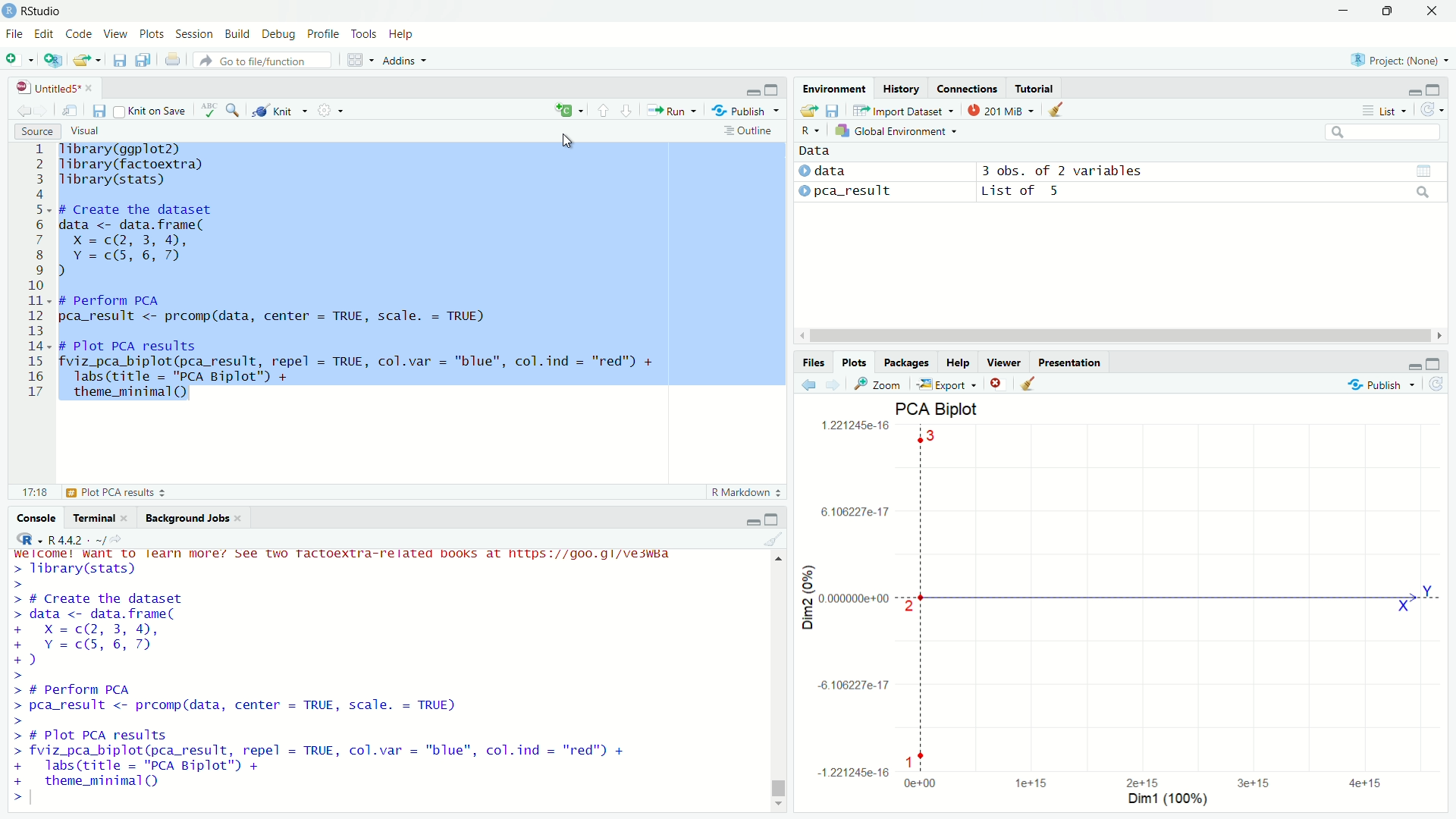 The height and width of the screenshot is (819, 1456). What do you see at coordinates (780, 789) in the screenshot?
I see `vertical scrollbar` at bounding box center [780, 789].